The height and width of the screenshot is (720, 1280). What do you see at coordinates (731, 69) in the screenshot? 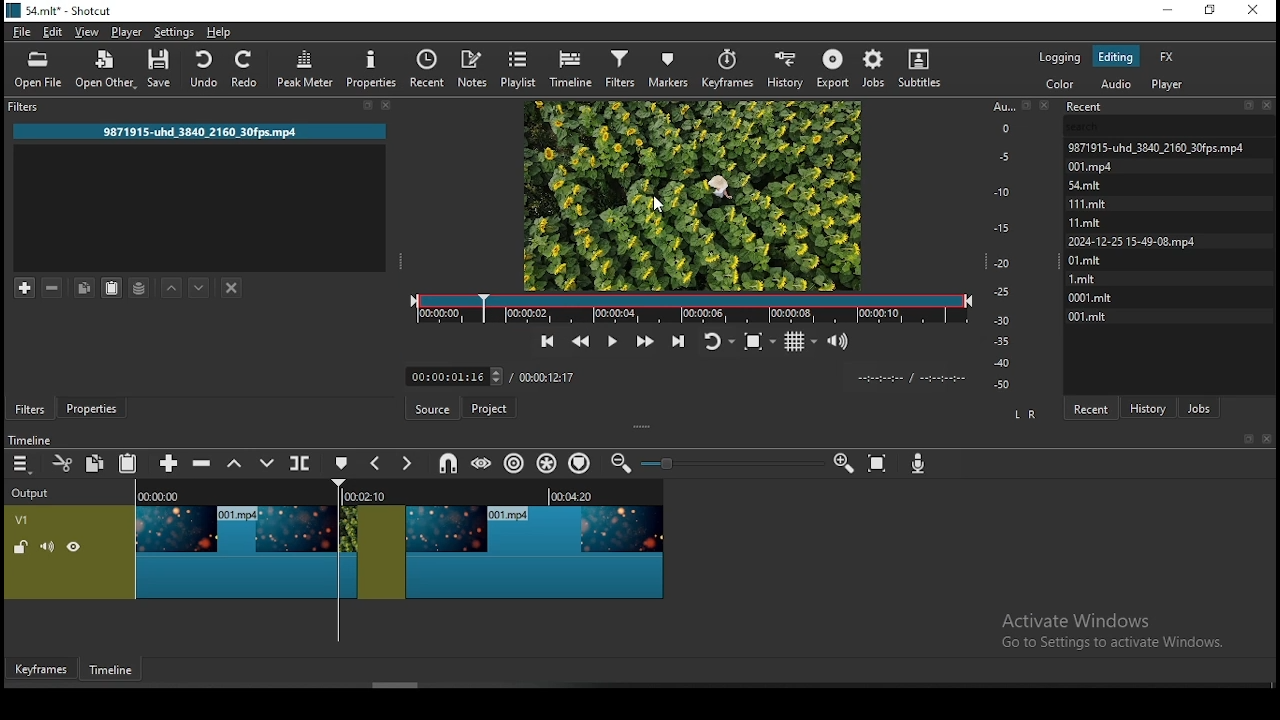
I see `keyframes` at bounding box center [731, 69].